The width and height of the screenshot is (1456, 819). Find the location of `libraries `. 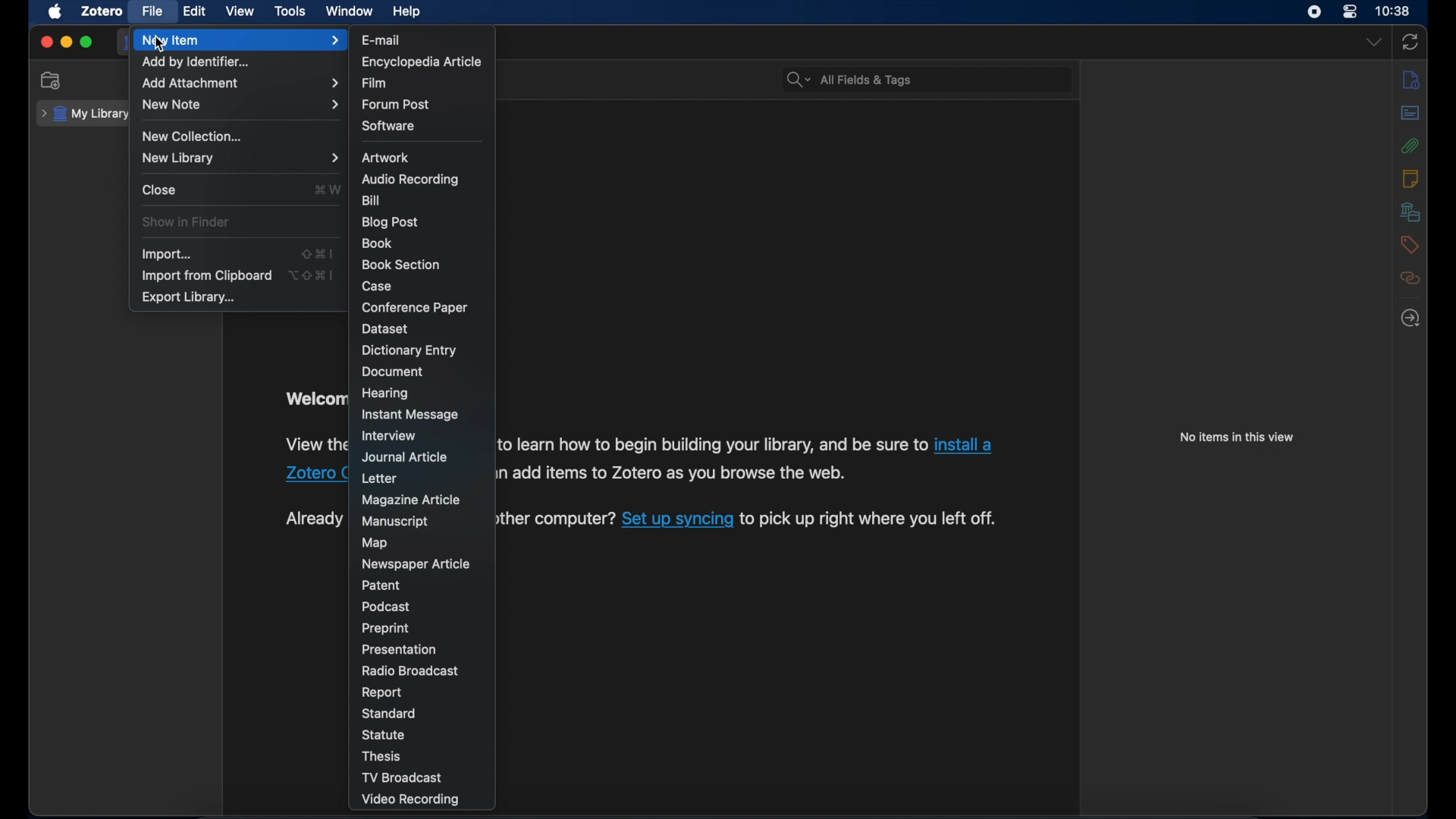

libraries  is located at coordinates (1410, 212).